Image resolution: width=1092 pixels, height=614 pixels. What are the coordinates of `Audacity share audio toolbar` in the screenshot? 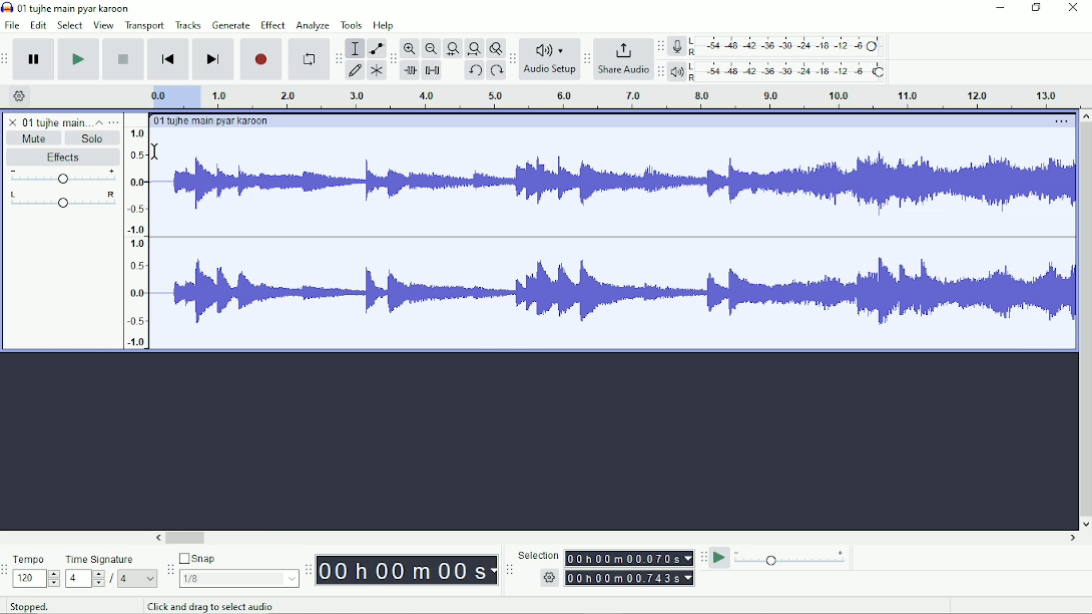 It's located at (587, 60).